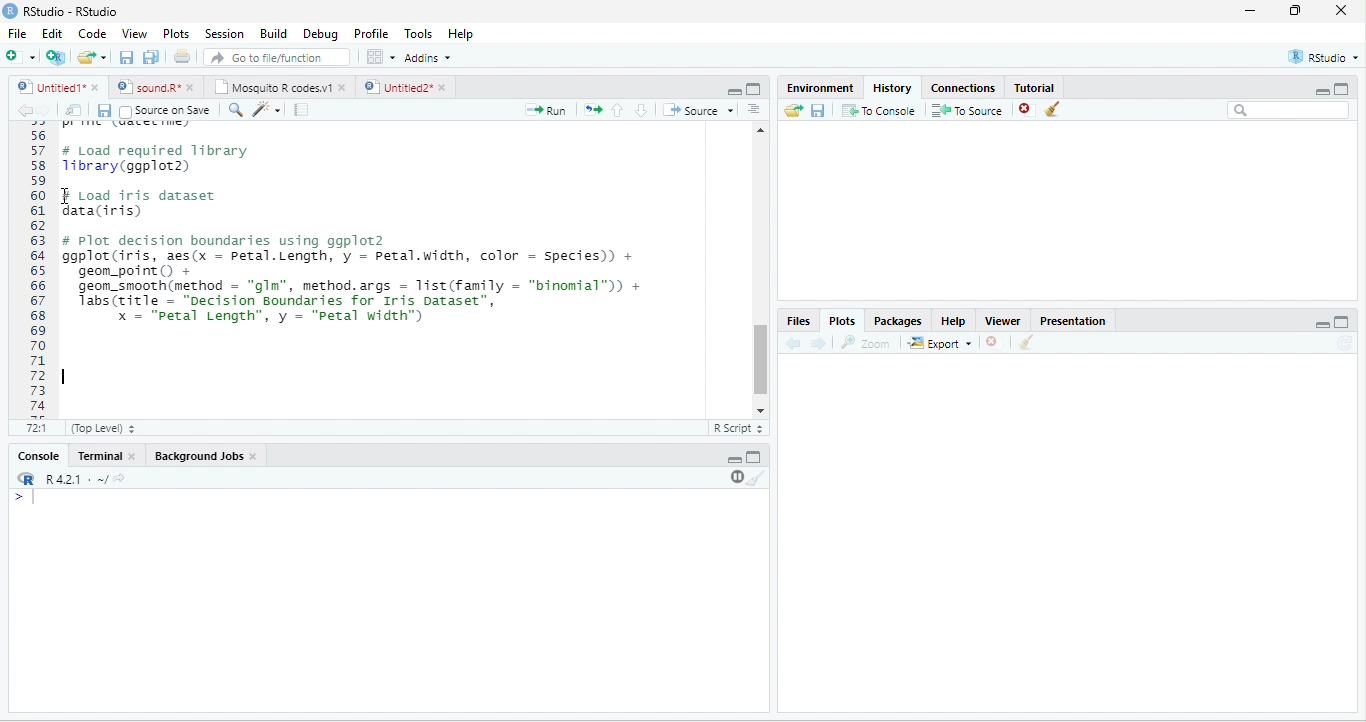 The width and height of the screenshot is (1366, 722). Describe the element at coordinates (1341, 10) in the screenshot. I see `close` at that location.